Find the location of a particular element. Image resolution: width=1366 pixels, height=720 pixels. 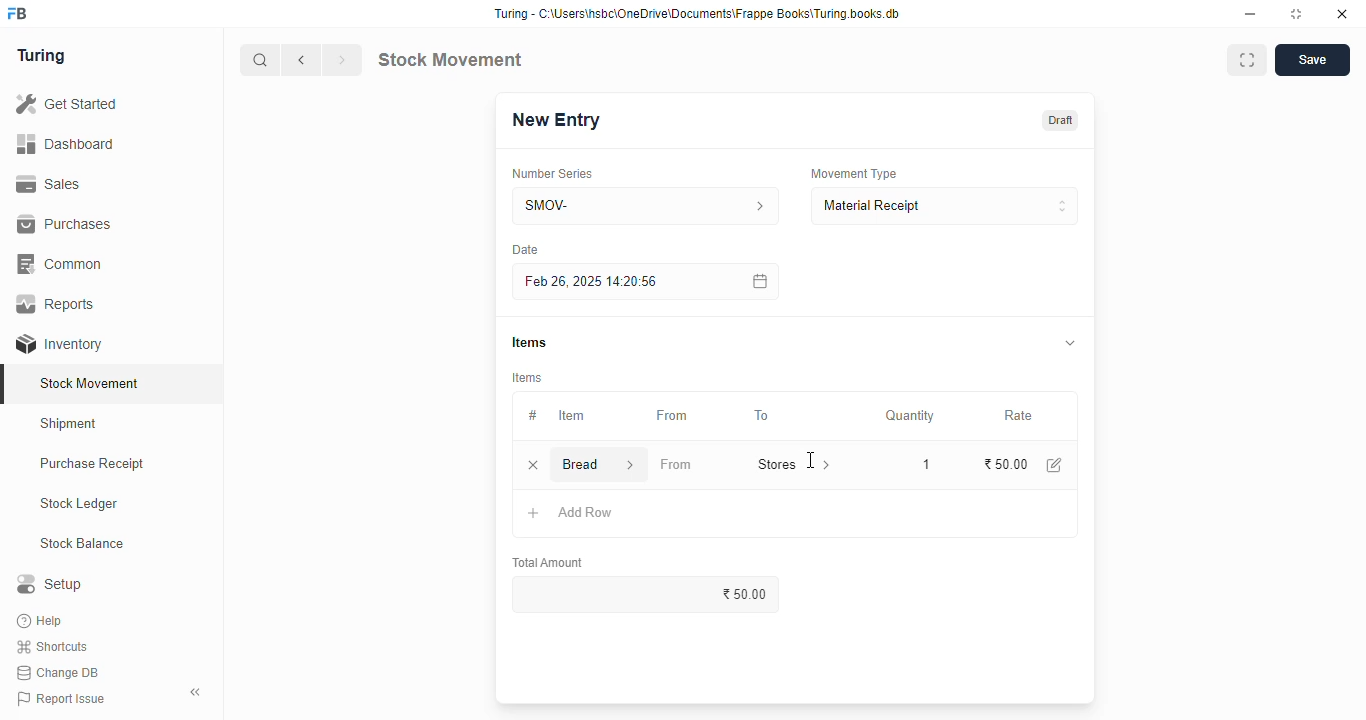

add is located at coordinates (534, 514).